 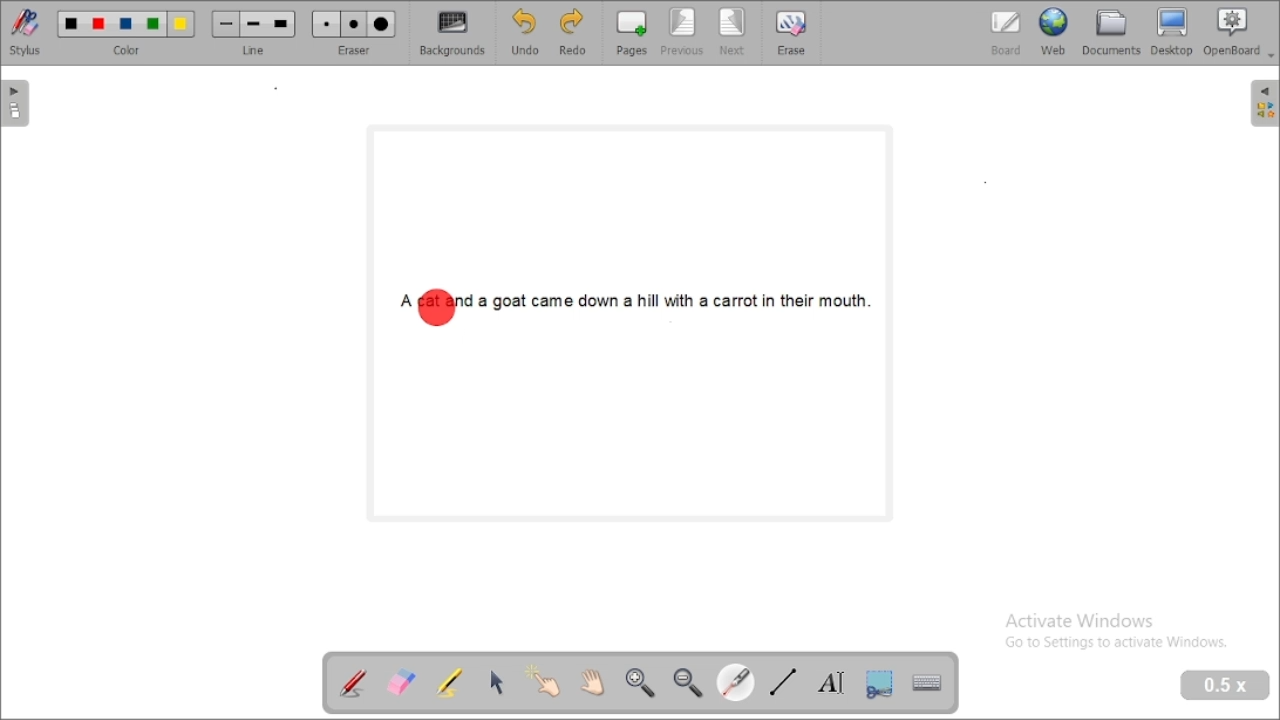 I want to click on erase annotation, so click(x=402, y=682).